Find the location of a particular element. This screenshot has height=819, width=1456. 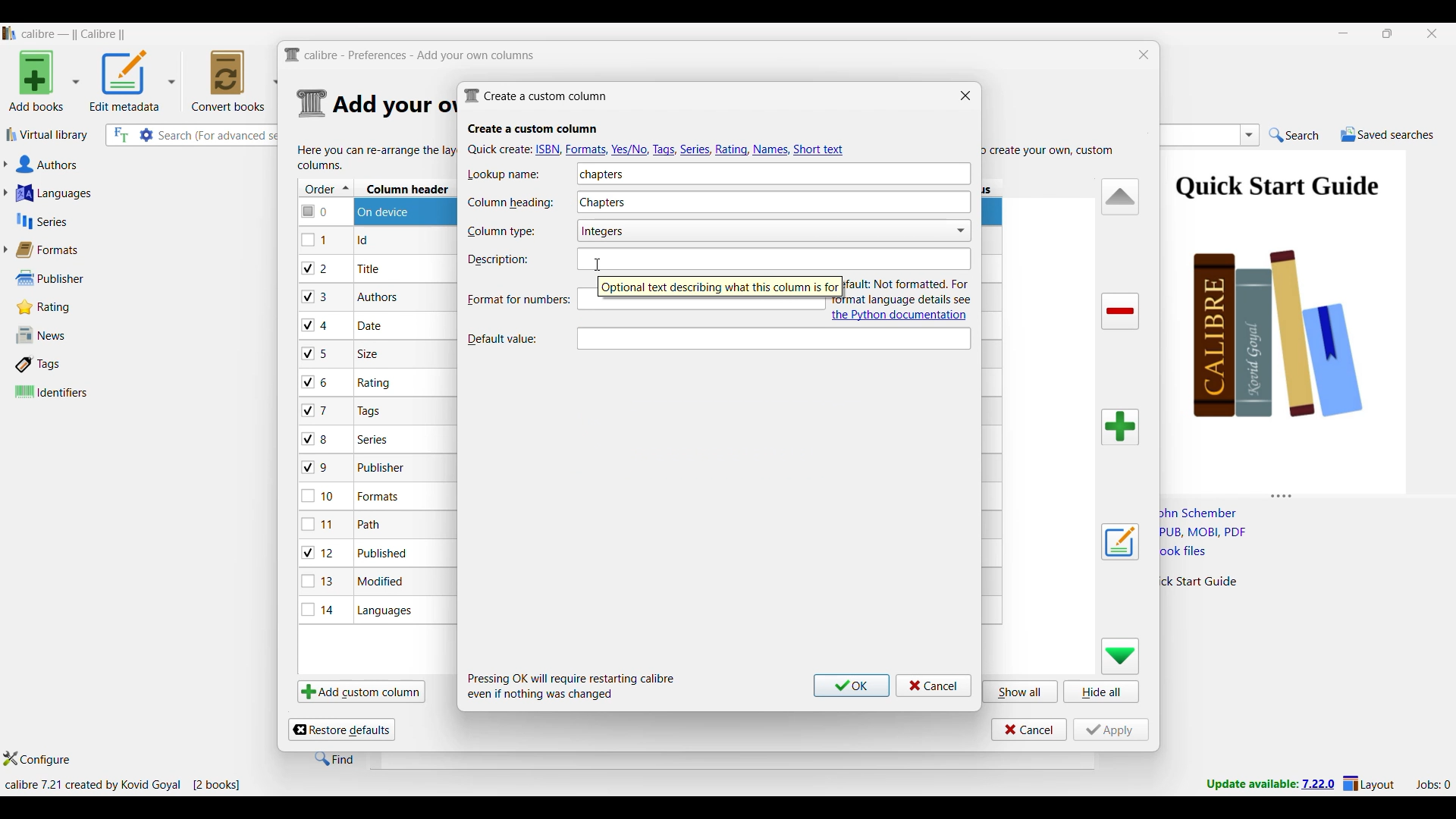

Publisher is located at coordinates (67, 278).